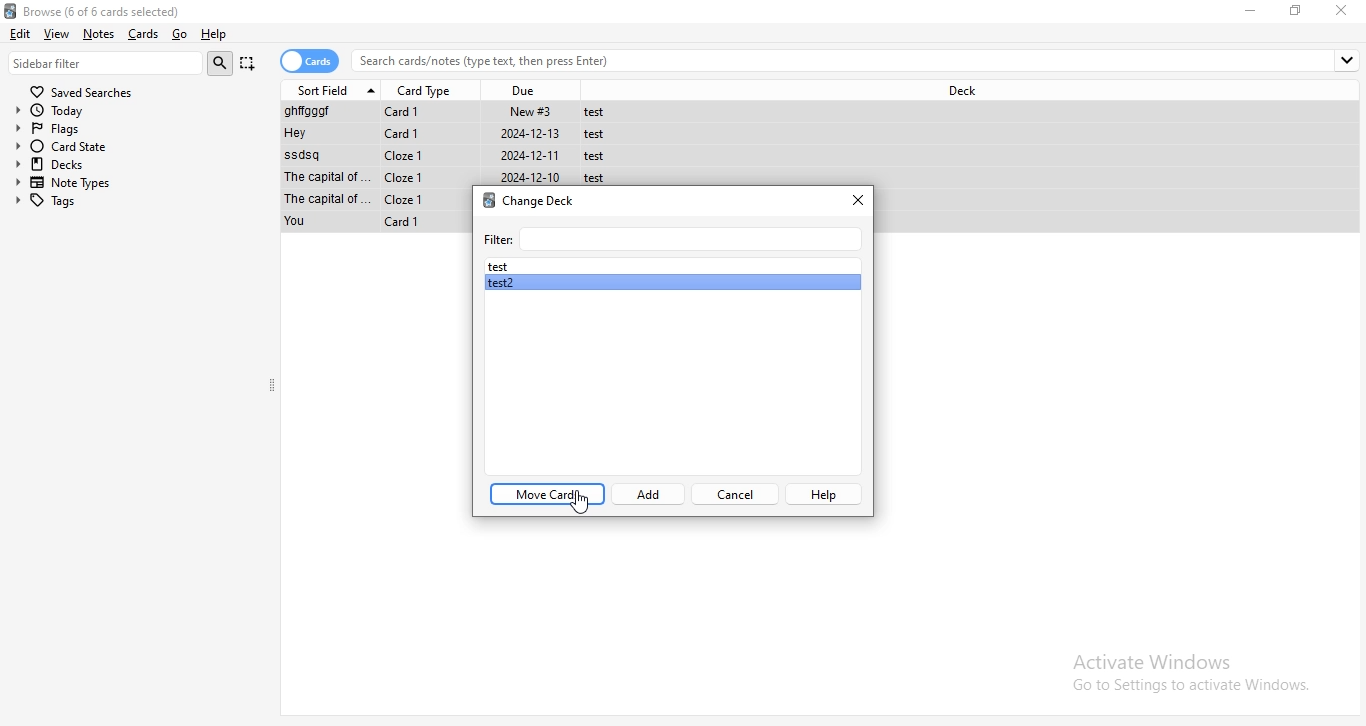 Image resolution: width=1366 pixels, height=726 pixels. I want to click on File, so click(453, 112).